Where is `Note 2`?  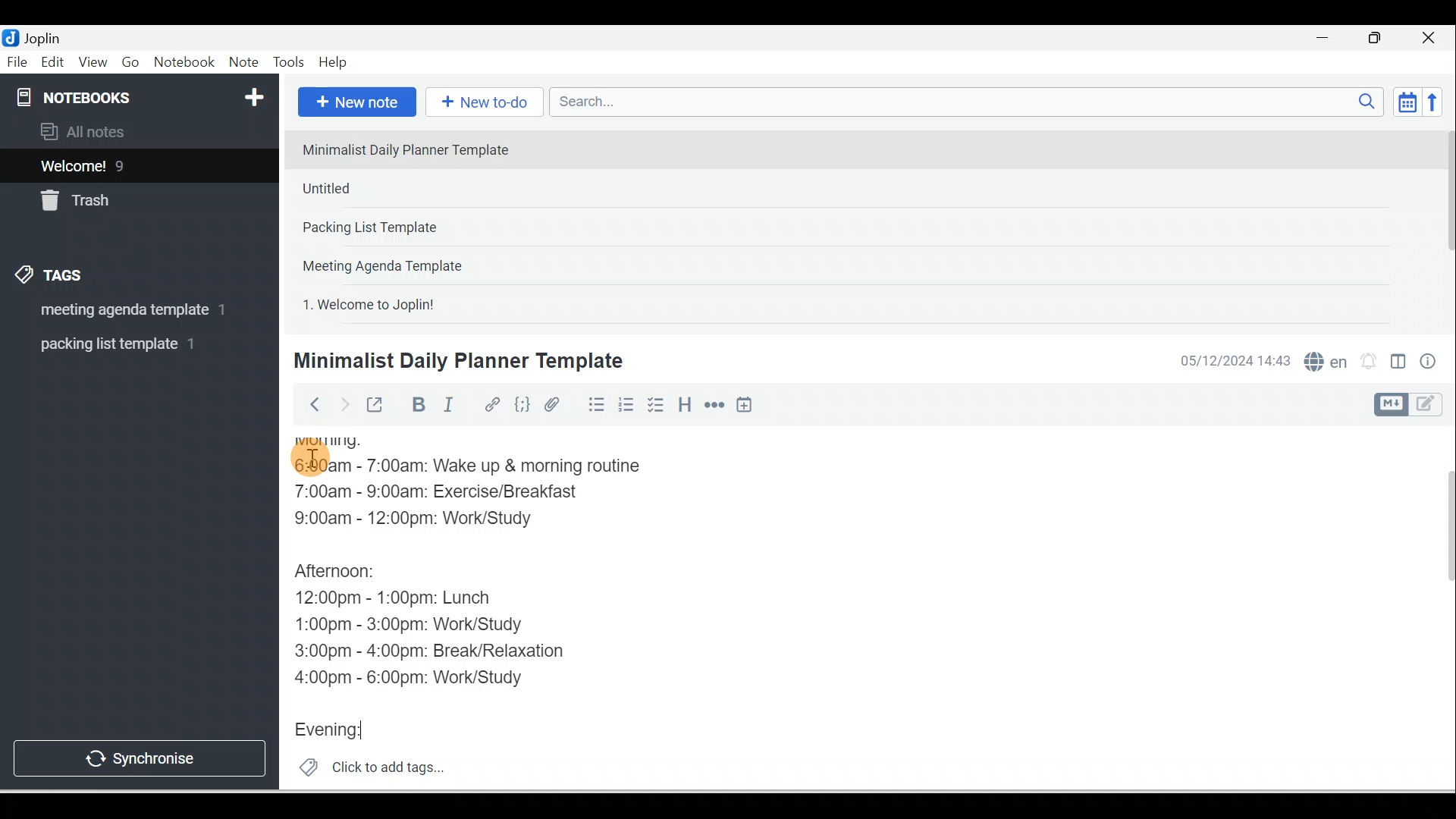
Note 2 is located at coordinates (401, 188).